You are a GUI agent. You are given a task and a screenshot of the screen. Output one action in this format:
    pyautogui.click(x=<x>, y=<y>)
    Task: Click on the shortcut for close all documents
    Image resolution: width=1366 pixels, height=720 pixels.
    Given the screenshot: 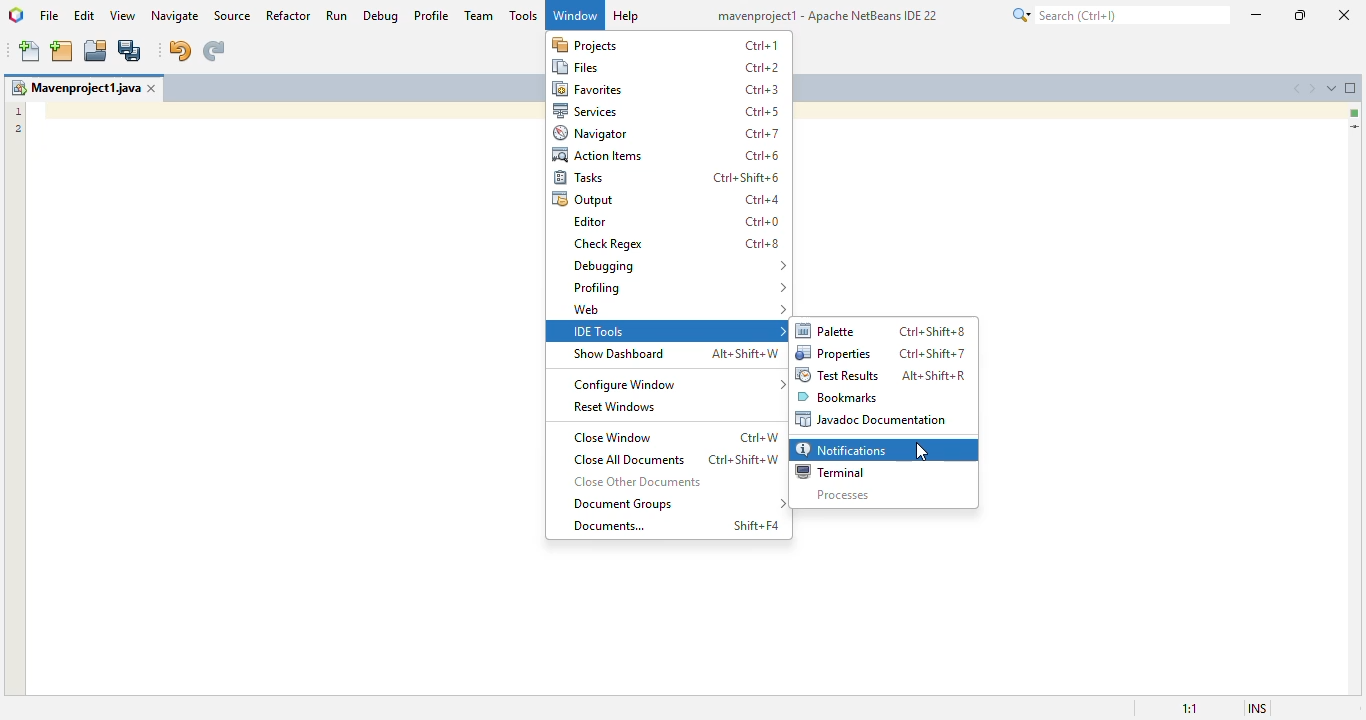 What is the action you would take?
    pyautogui.click(x=743, y=459)
    